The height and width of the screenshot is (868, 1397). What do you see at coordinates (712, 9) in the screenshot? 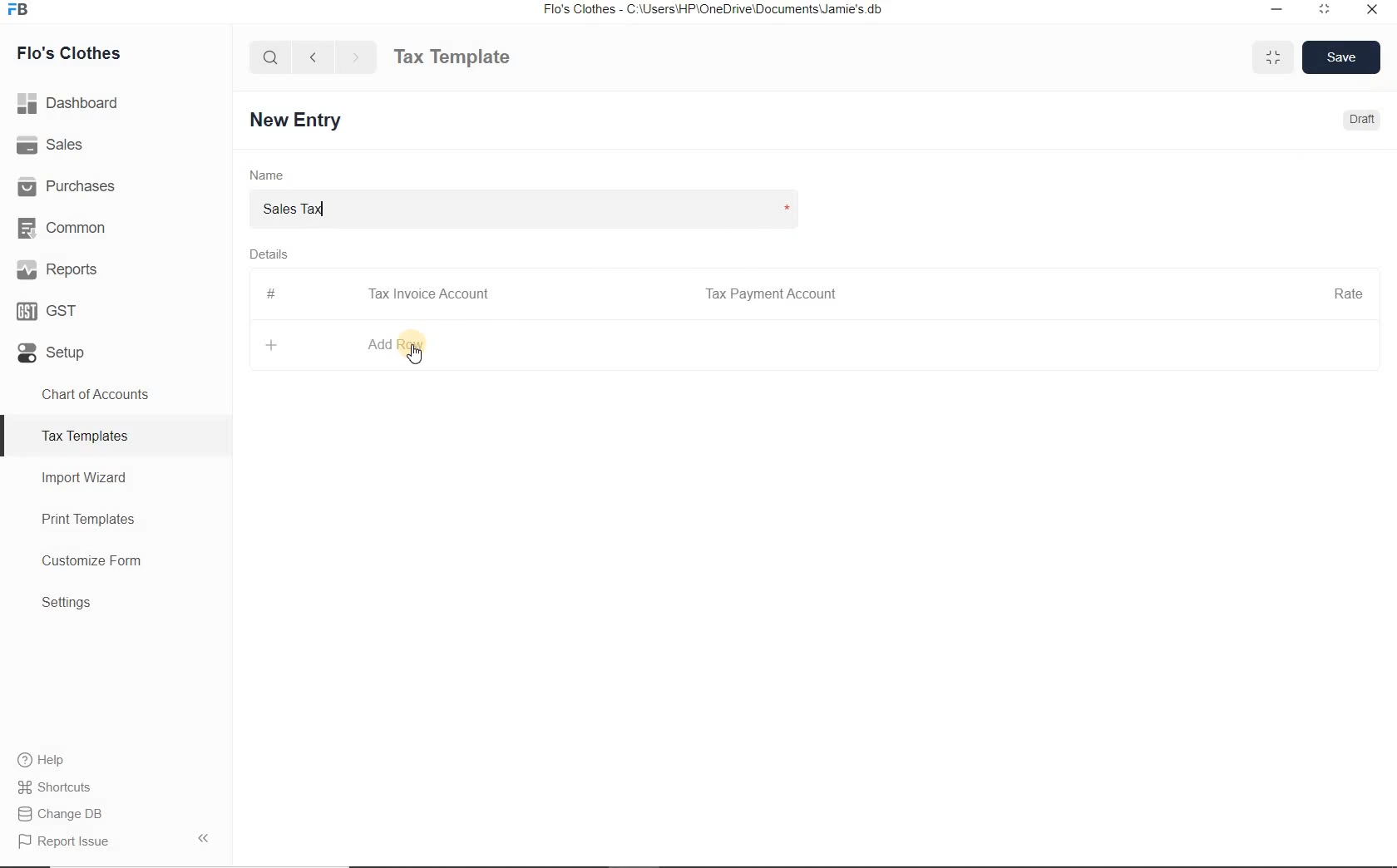
I see `Flo's Clothes - C:\Users\HP\OneDrive\Documents\Jamie's db` at bounding box center [712, 9].